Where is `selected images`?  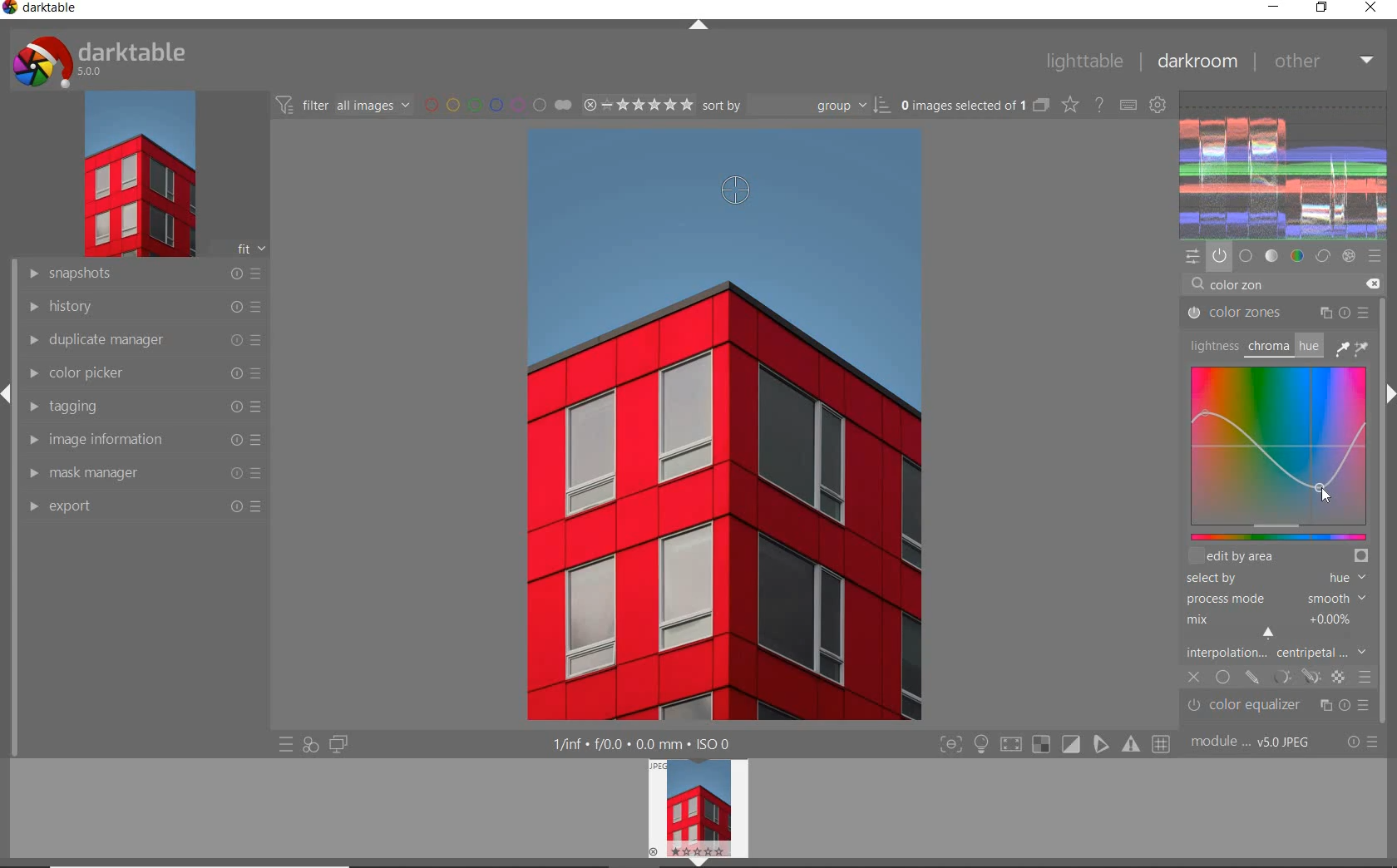 selected images is located at coordinates (974, 106).